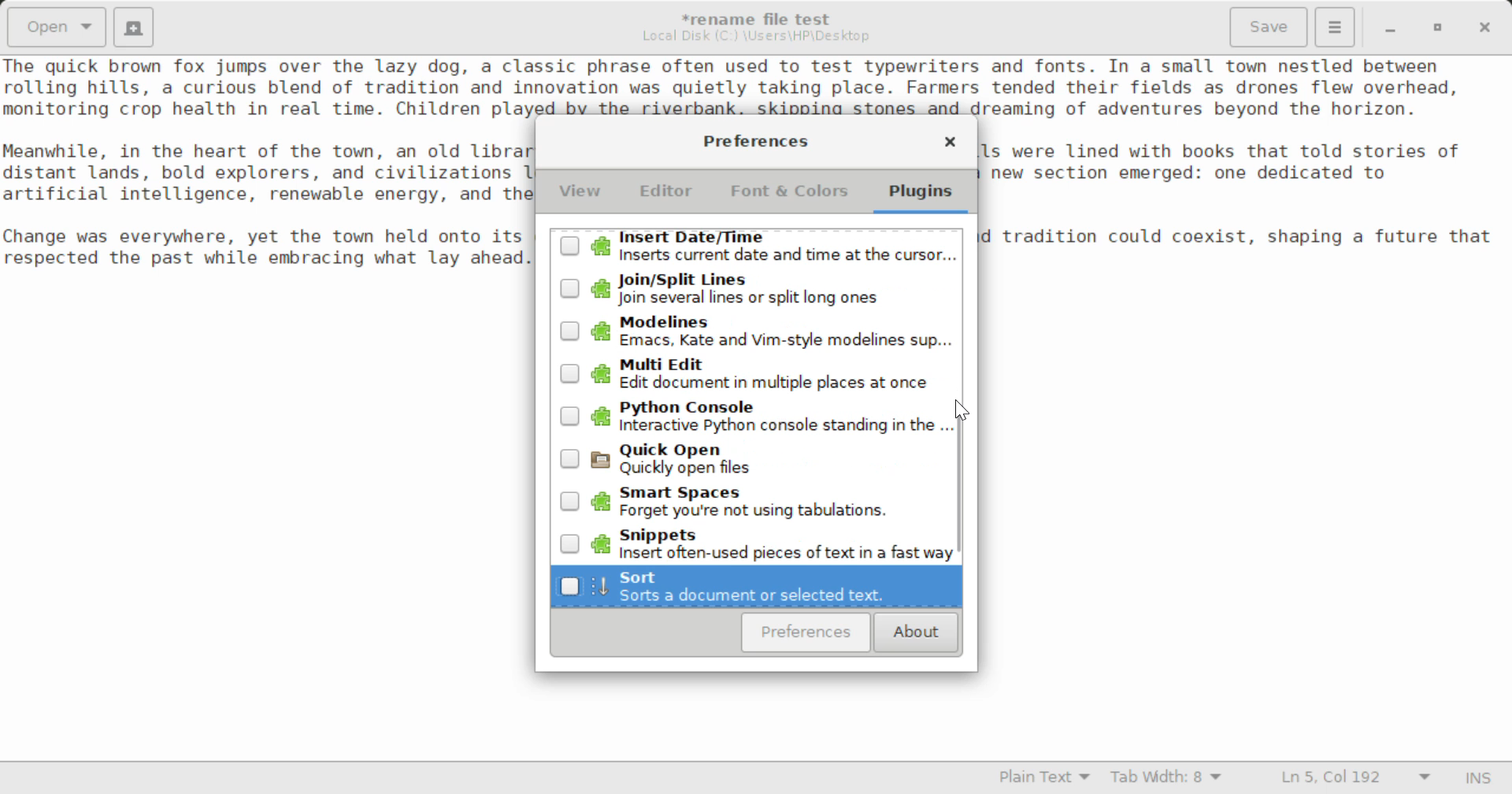  What do you see at coordinates (761, 17) in the screenshot?
I see `File Name ` at bounding box center [761, 17].